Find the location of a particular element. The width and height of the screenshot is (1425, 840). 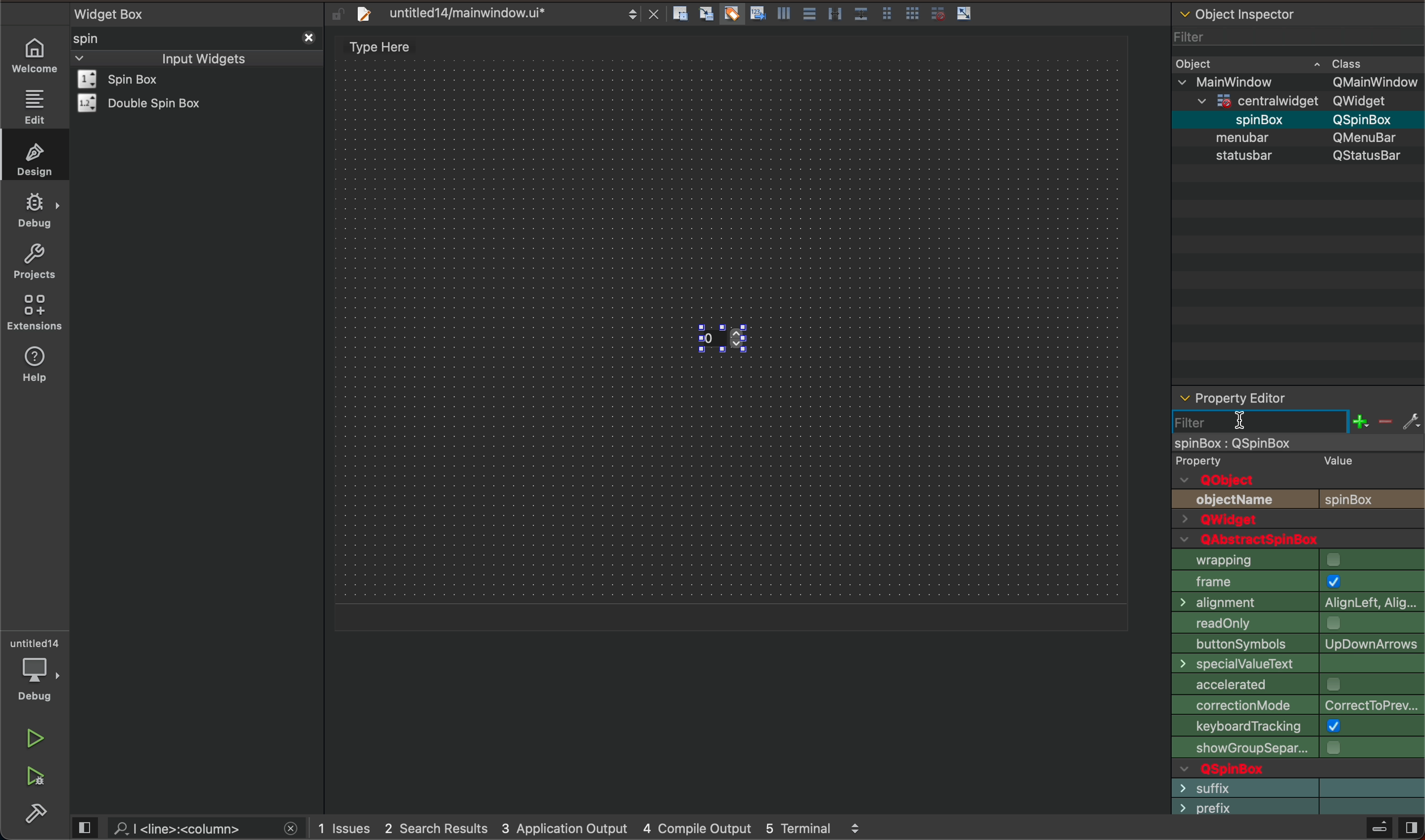

help is located at coordinates (40, 371).